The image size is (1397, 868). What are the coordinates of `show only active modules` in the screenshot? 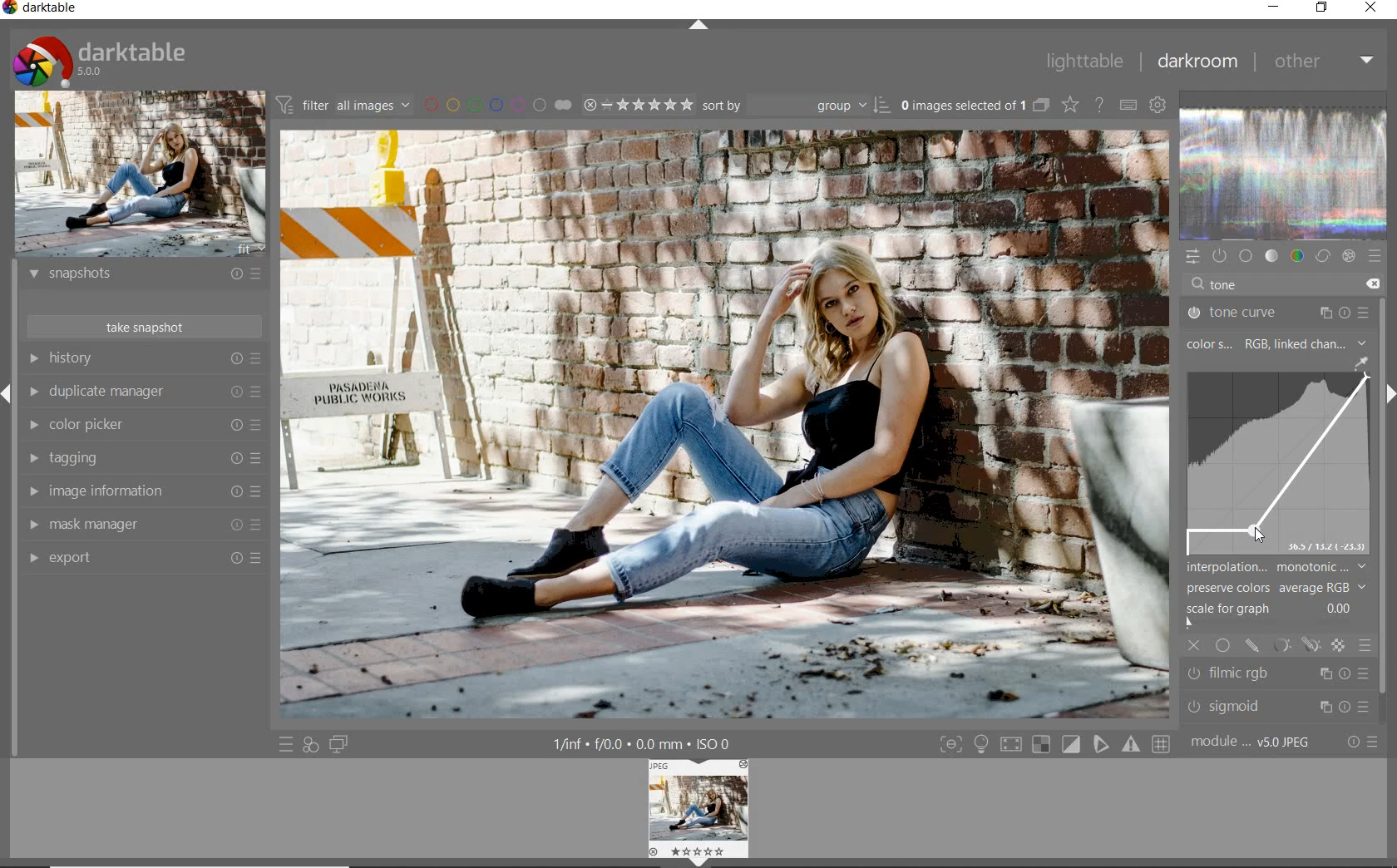 It's located at (1221, 257).